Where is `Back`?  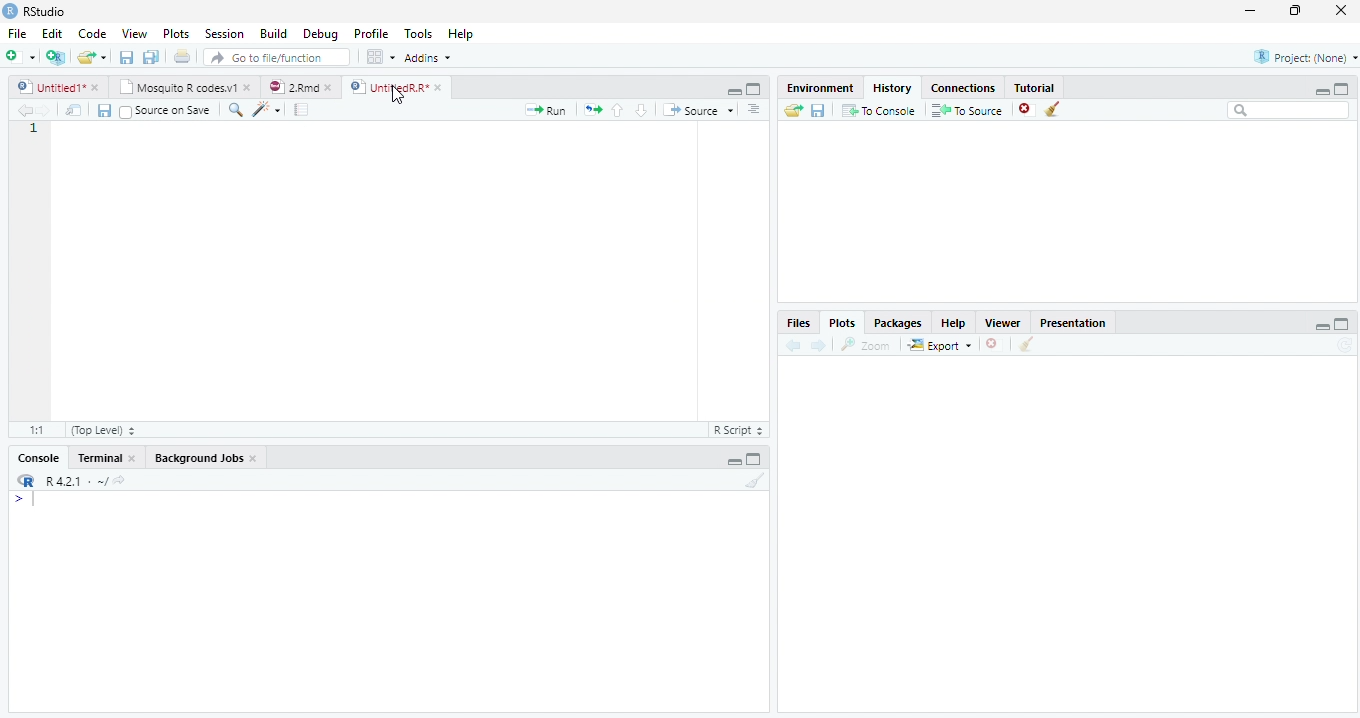
Back is located at coordinates (795, 345).